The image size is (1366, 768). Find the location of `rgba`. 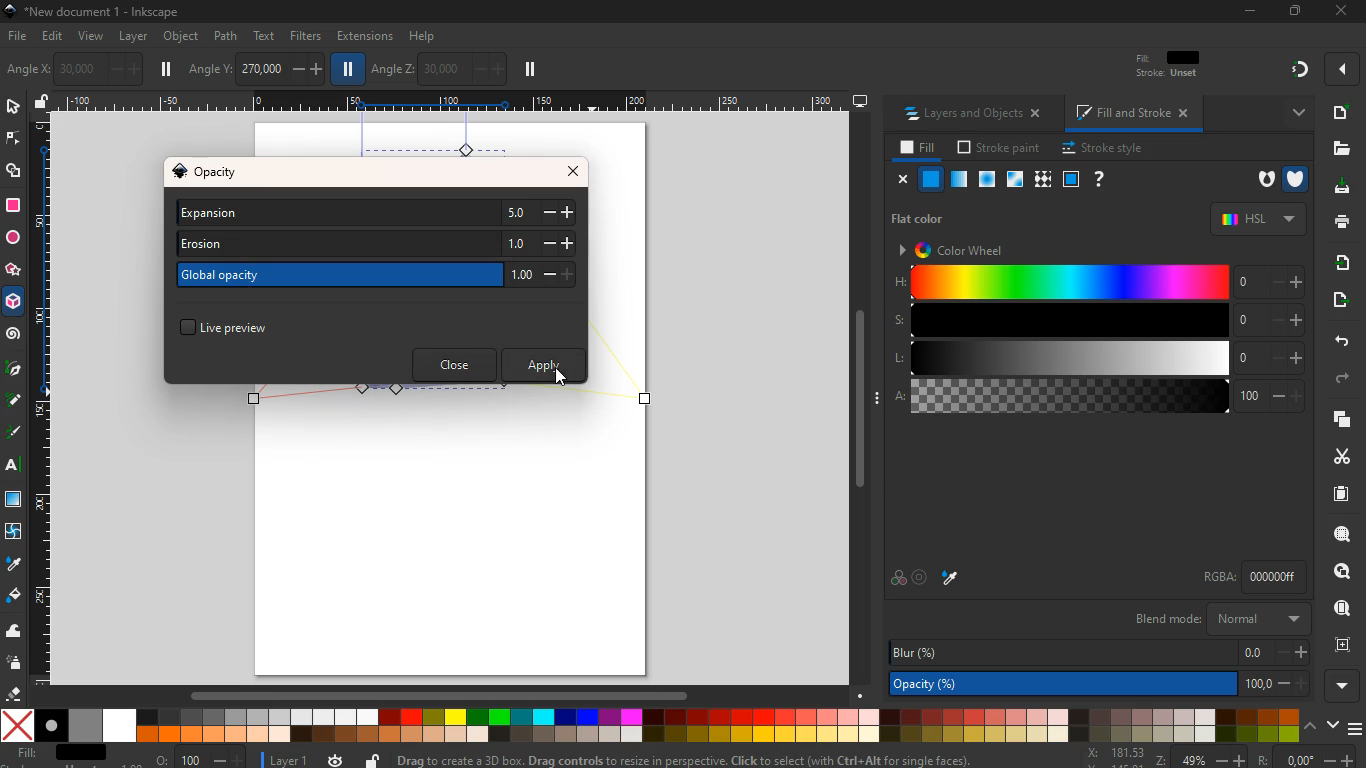

rgba is located at coordinates (1235, 577).